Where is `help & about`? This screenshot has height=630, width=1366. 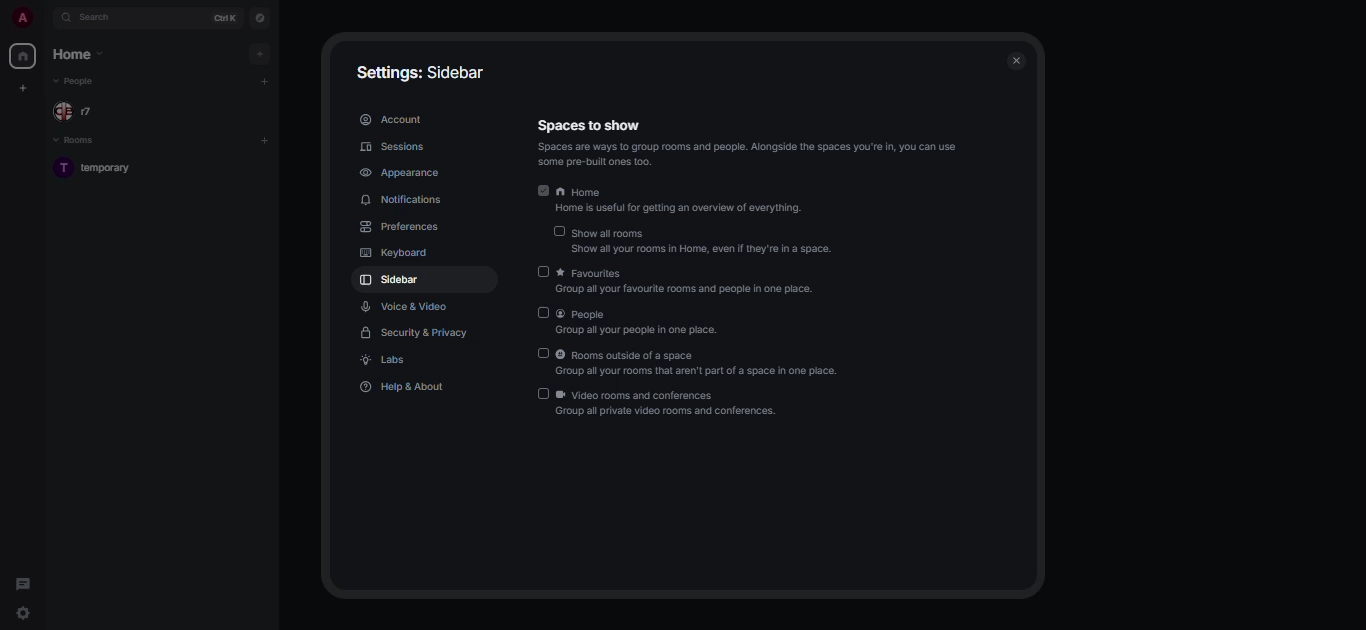 help & about is located at coordinates (404, 387).